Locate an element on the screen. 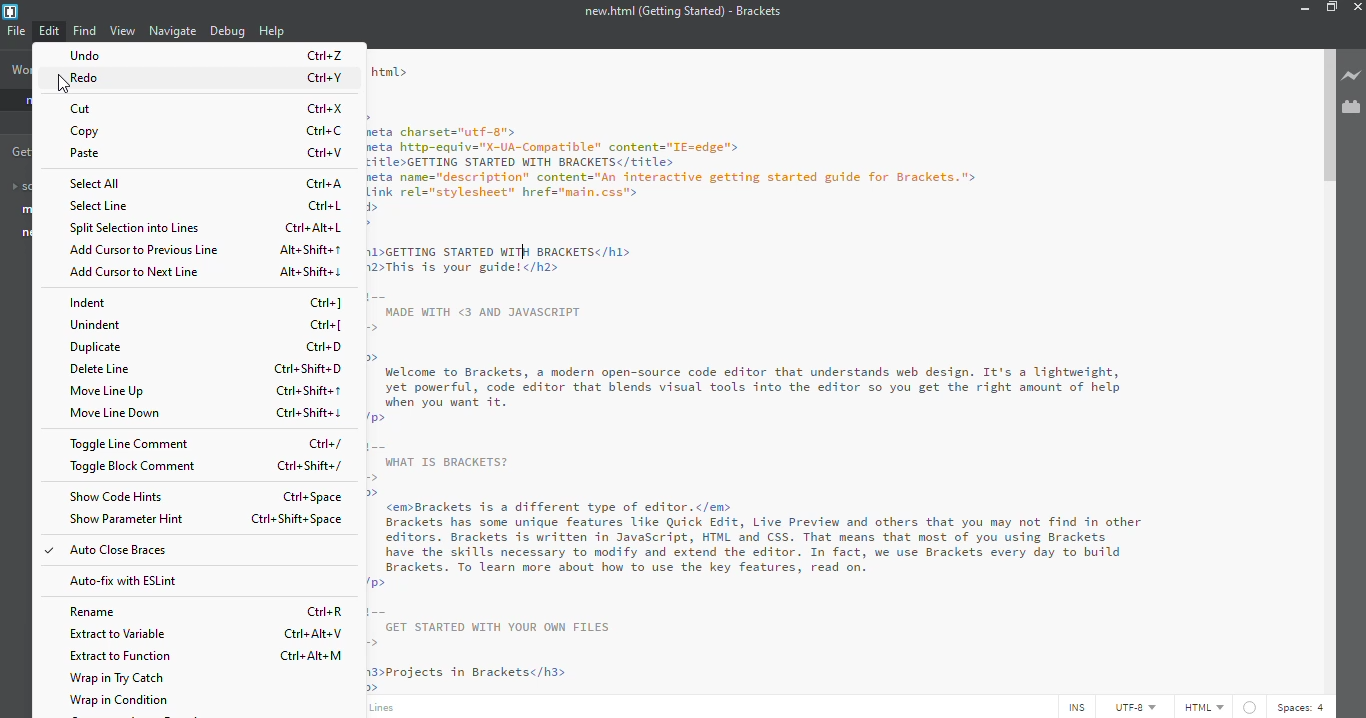 The image size is (1366, 718). line 13, column 32- 208 lines is located at coordinates (383, 707).